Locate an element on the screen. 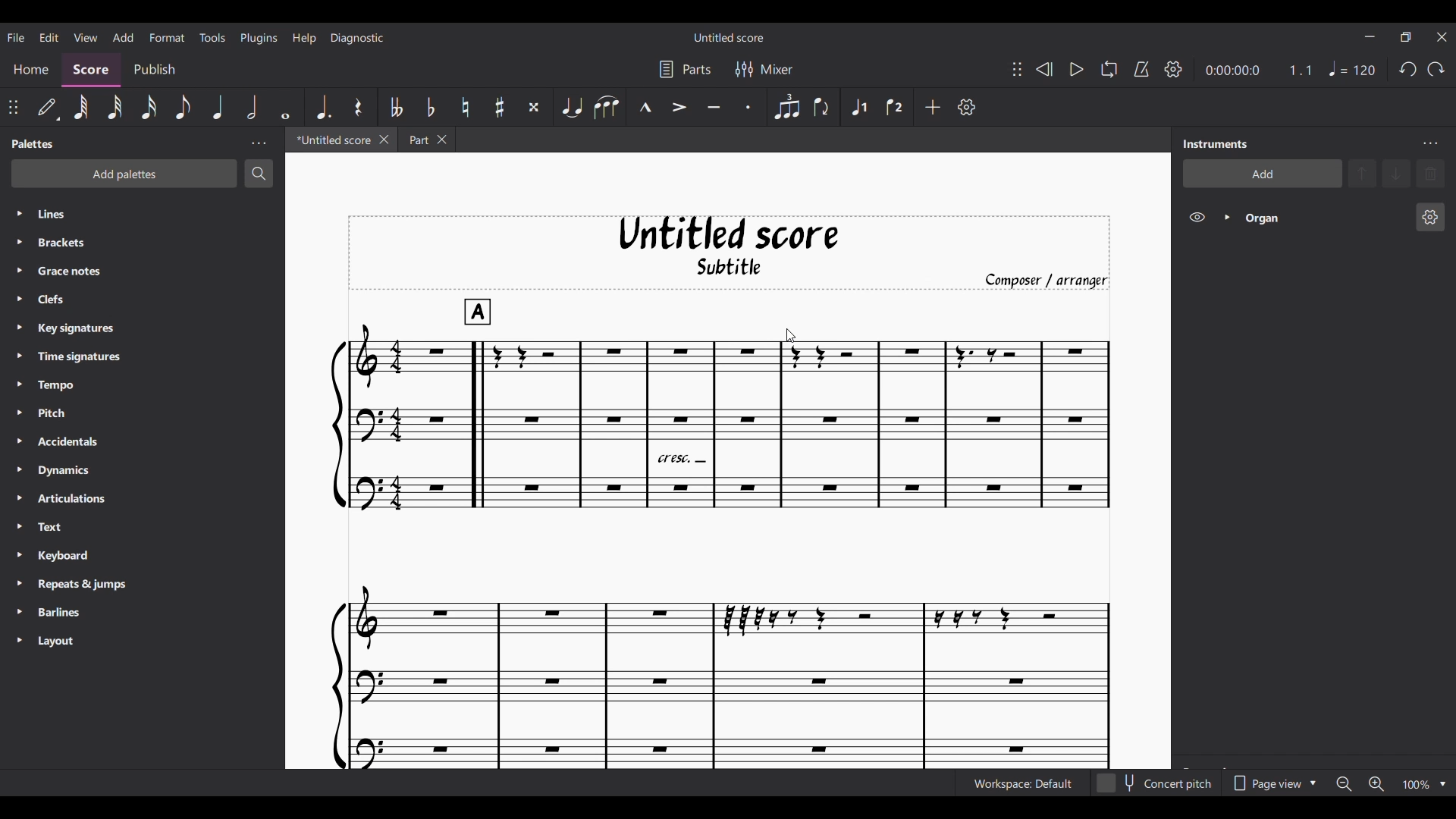  Toggle flat is located at coordinates (430, 107).